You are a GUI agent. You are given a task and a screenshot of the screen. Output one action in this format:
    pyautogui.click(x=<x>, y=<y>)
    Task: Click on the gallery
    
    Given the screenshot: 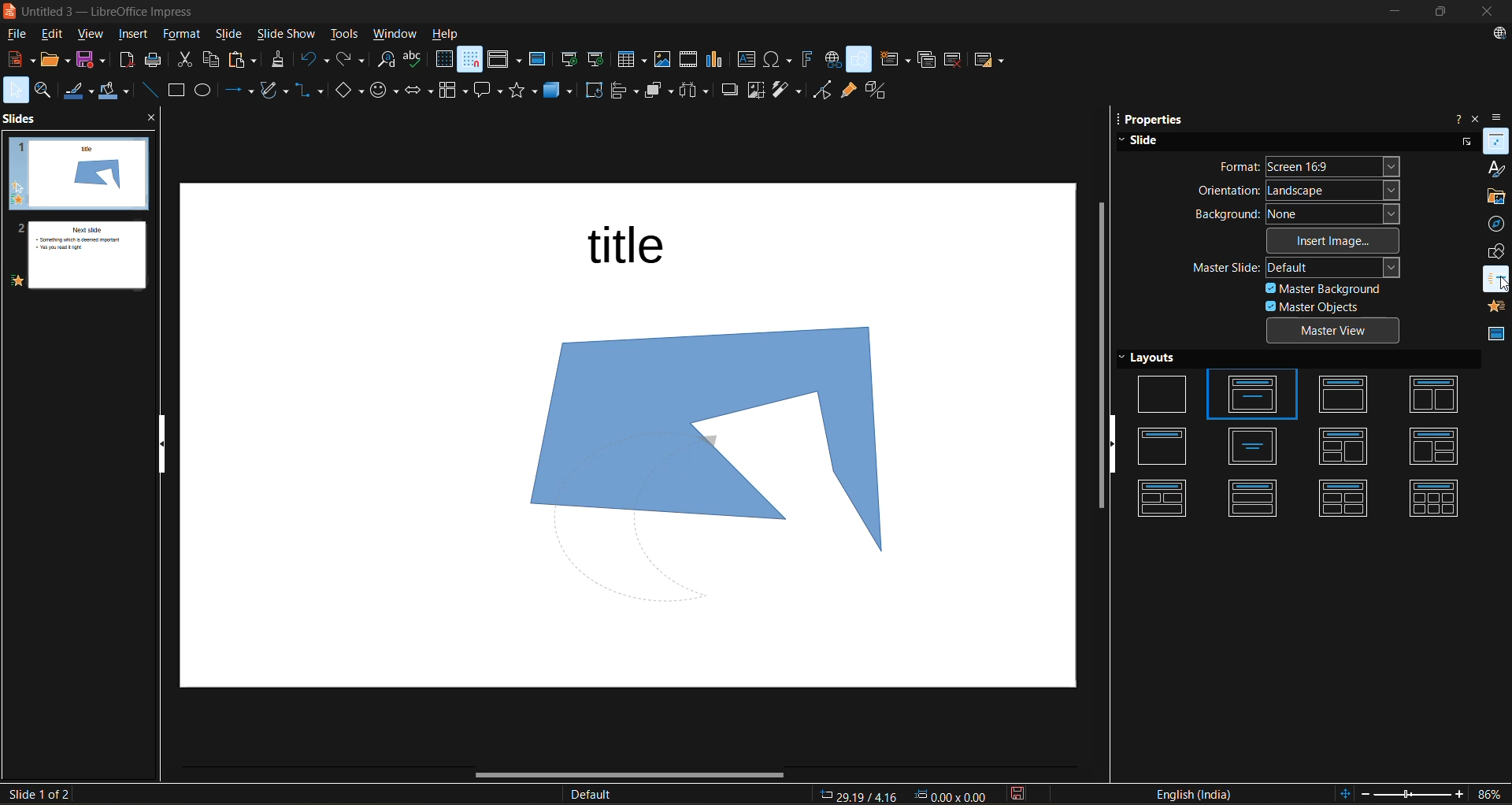 What is the action you would take?
    pyautogui.click(x=1496, y=197)
    